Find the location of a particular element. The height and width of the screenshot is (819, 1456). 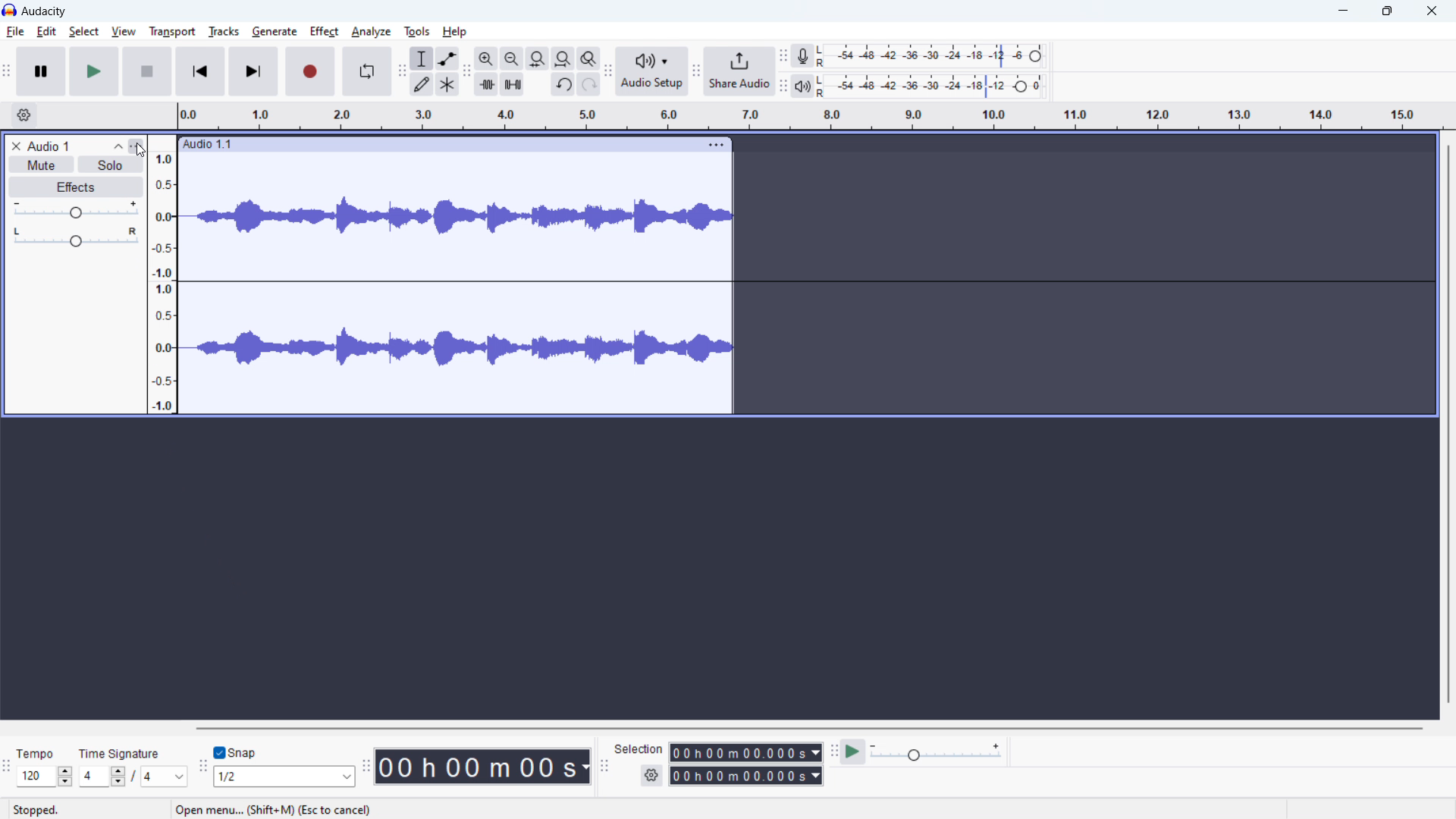

edit toolbar is located at coordinates (468, 71).